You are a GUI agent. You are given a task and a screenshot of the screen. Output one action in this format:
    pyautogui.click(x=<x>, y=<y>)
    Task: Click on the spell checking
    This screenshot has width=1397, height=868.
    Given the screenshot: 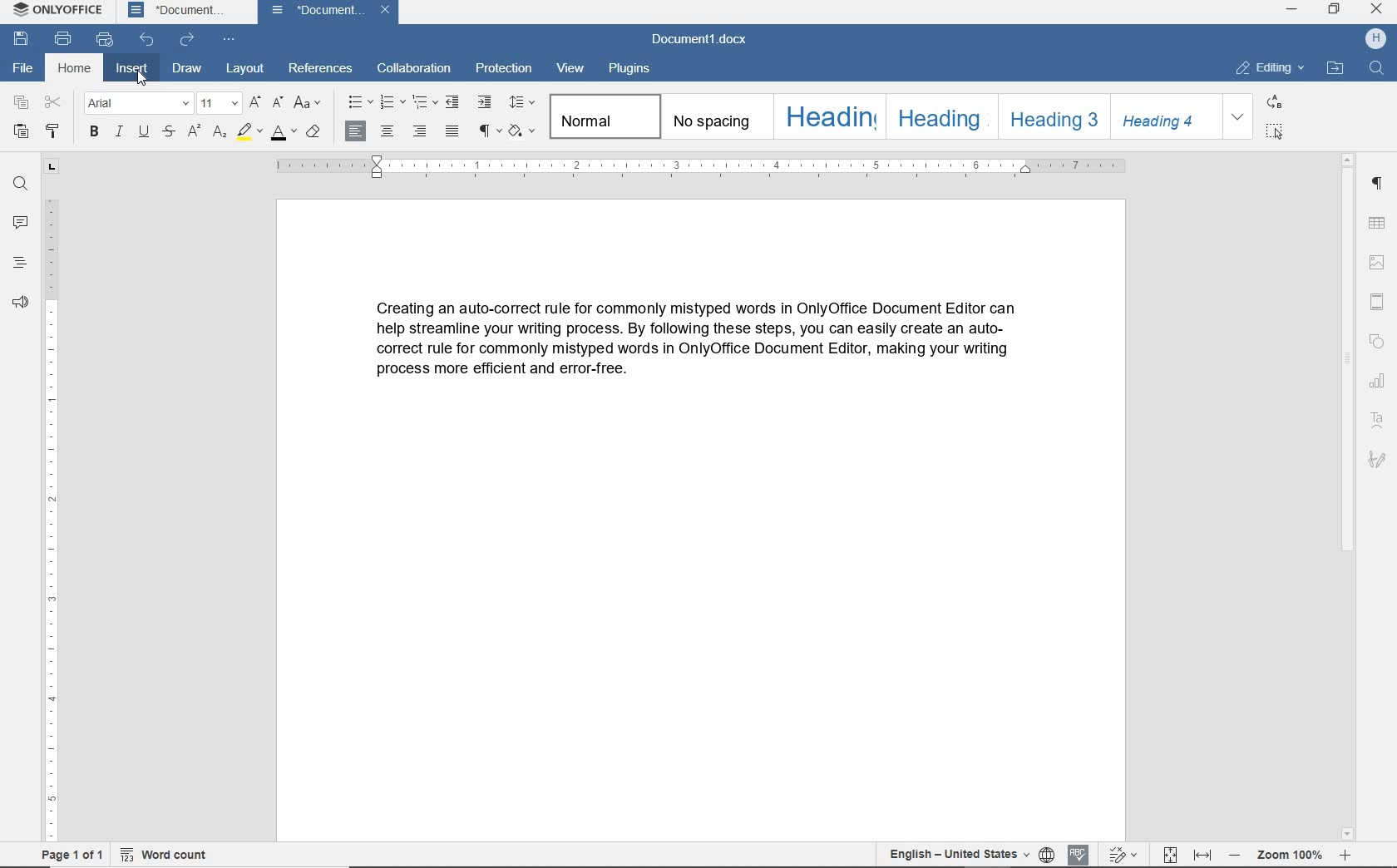 What is the action you would take?
    pyautogui.click(x=1075, y=854)
    